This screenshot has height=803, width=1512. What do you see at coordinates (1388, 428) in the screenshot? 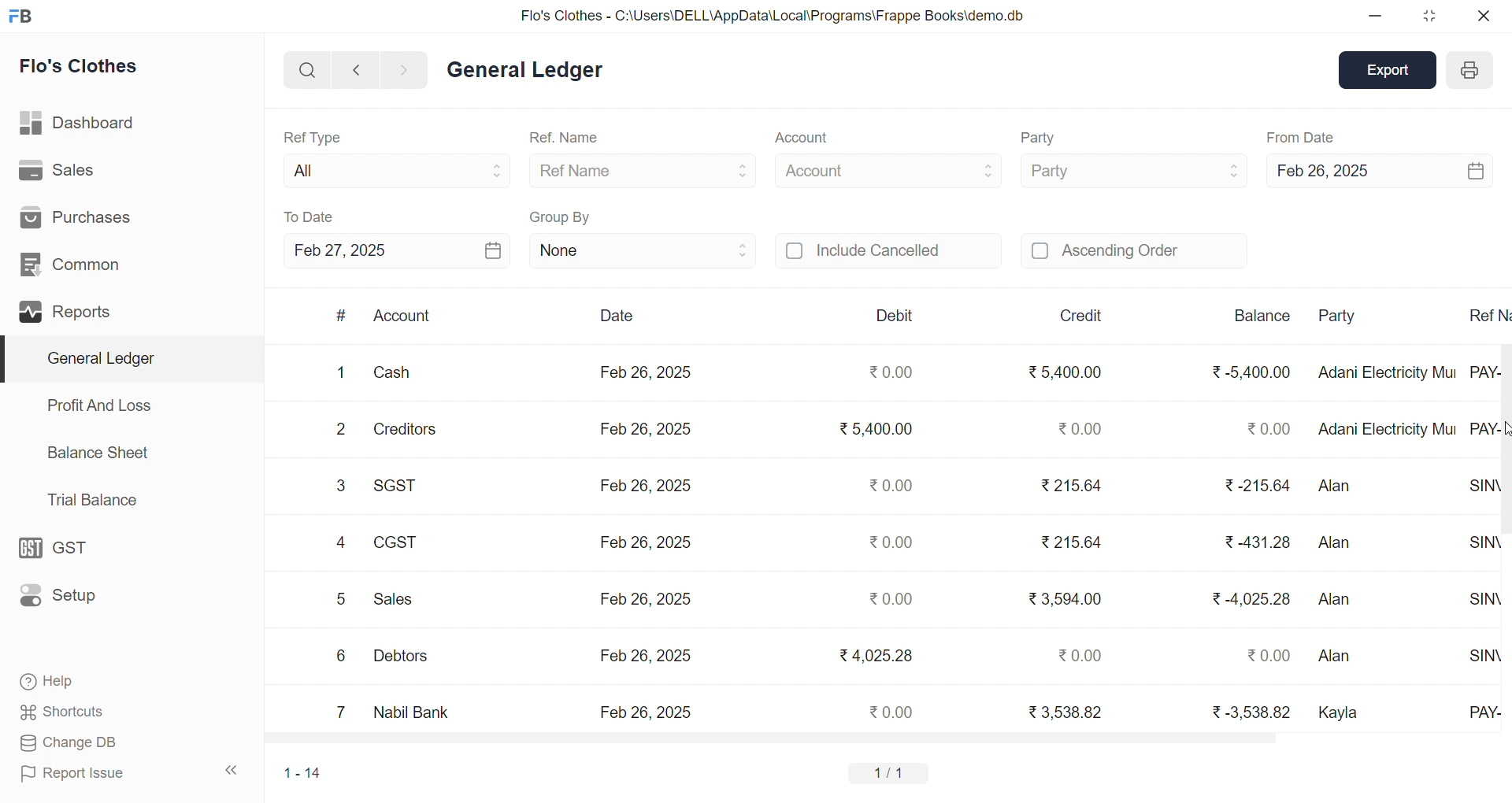
I see `Adani Electricity Mui` at bounding box center [1388, 428].